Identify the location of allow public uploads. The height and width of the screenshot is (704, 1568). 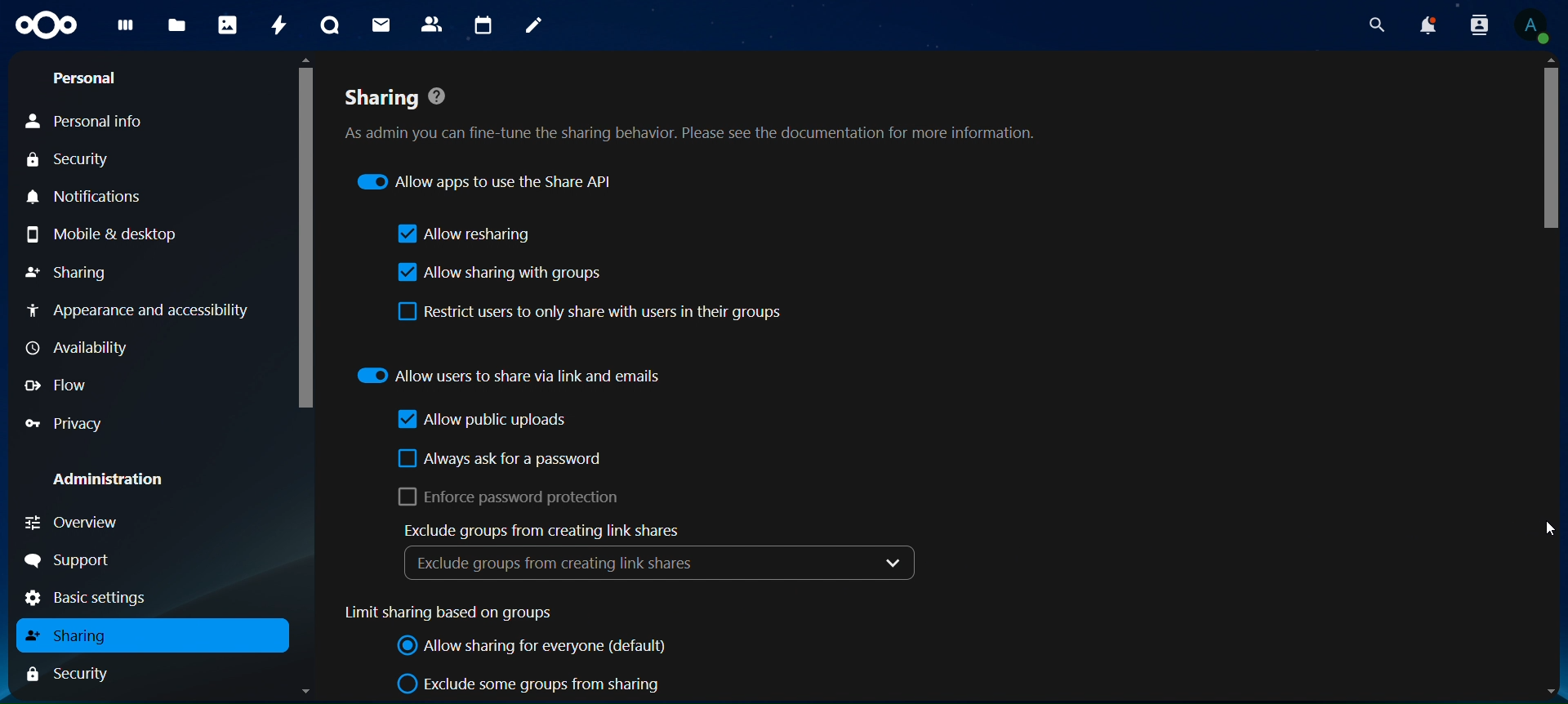
(481, 420).